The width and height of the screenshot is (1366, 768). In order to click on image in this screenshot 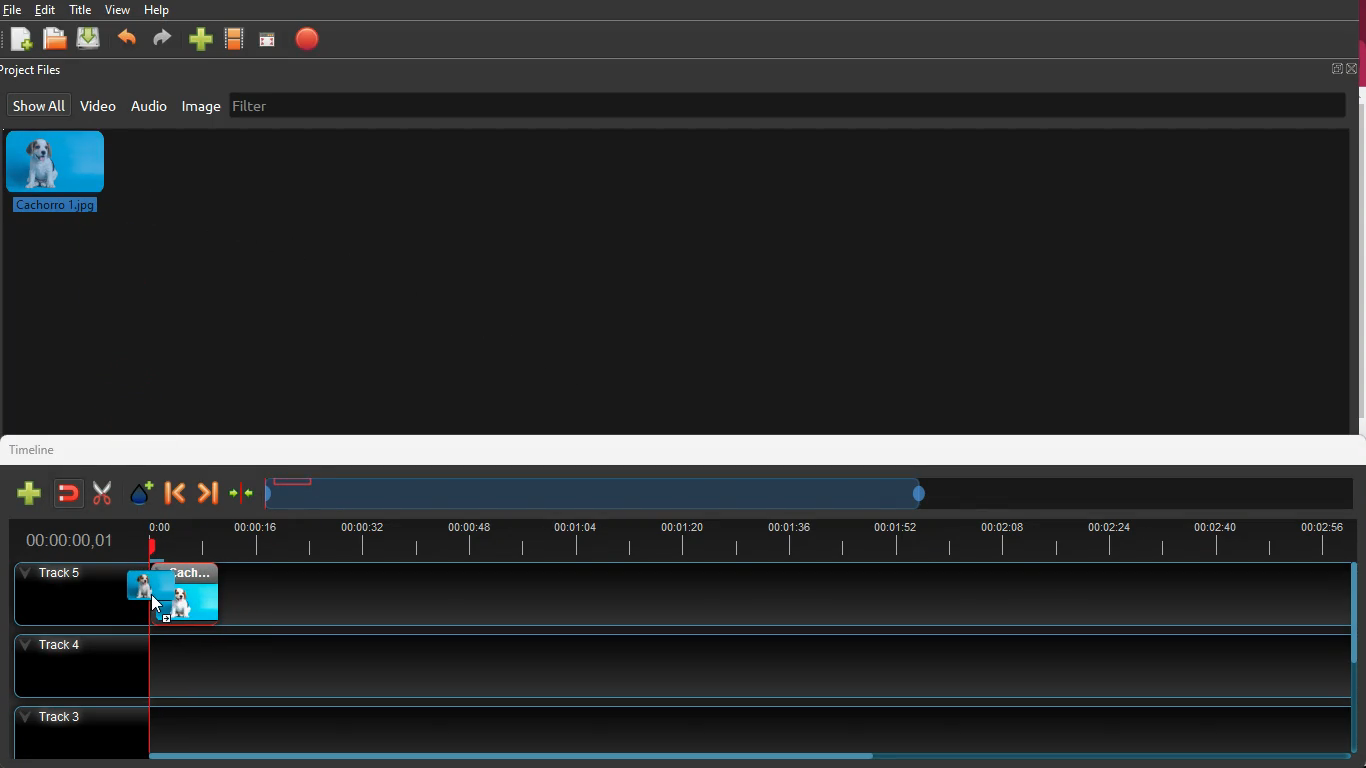, I will do `click(177, 596)`.